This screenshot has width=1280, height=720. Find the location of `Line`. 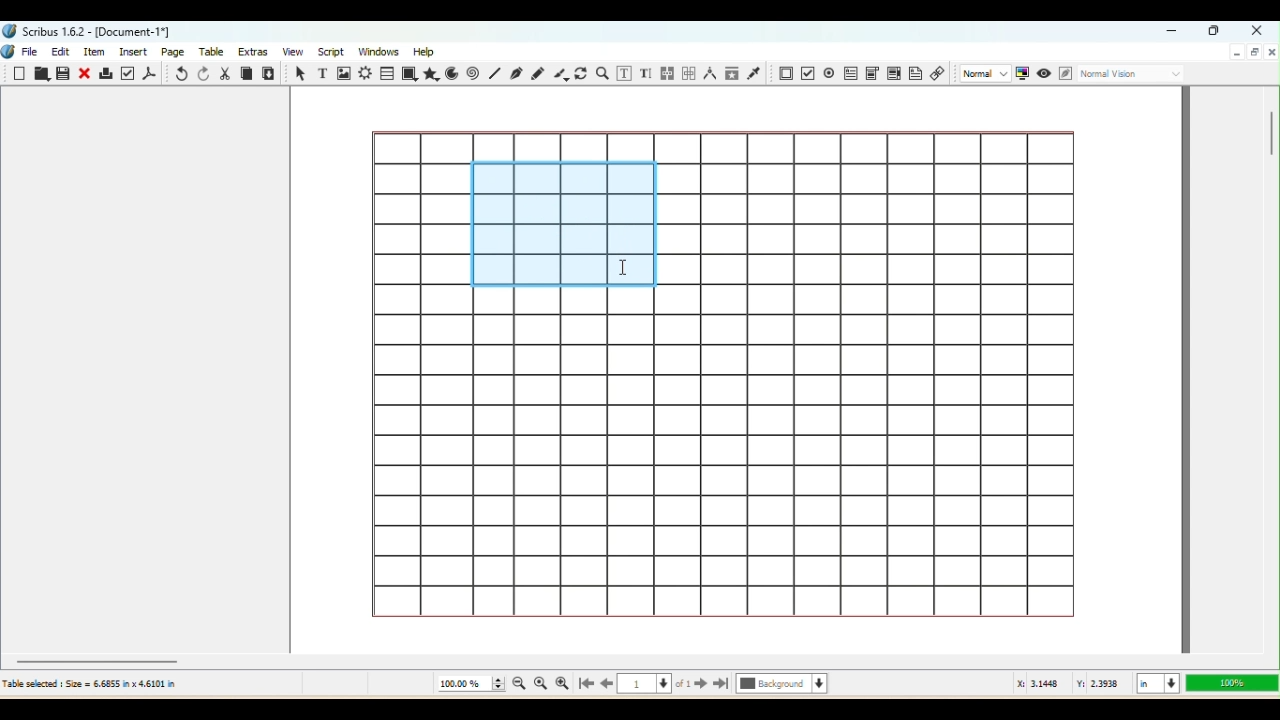

Line is located at coordinates (494, 74).